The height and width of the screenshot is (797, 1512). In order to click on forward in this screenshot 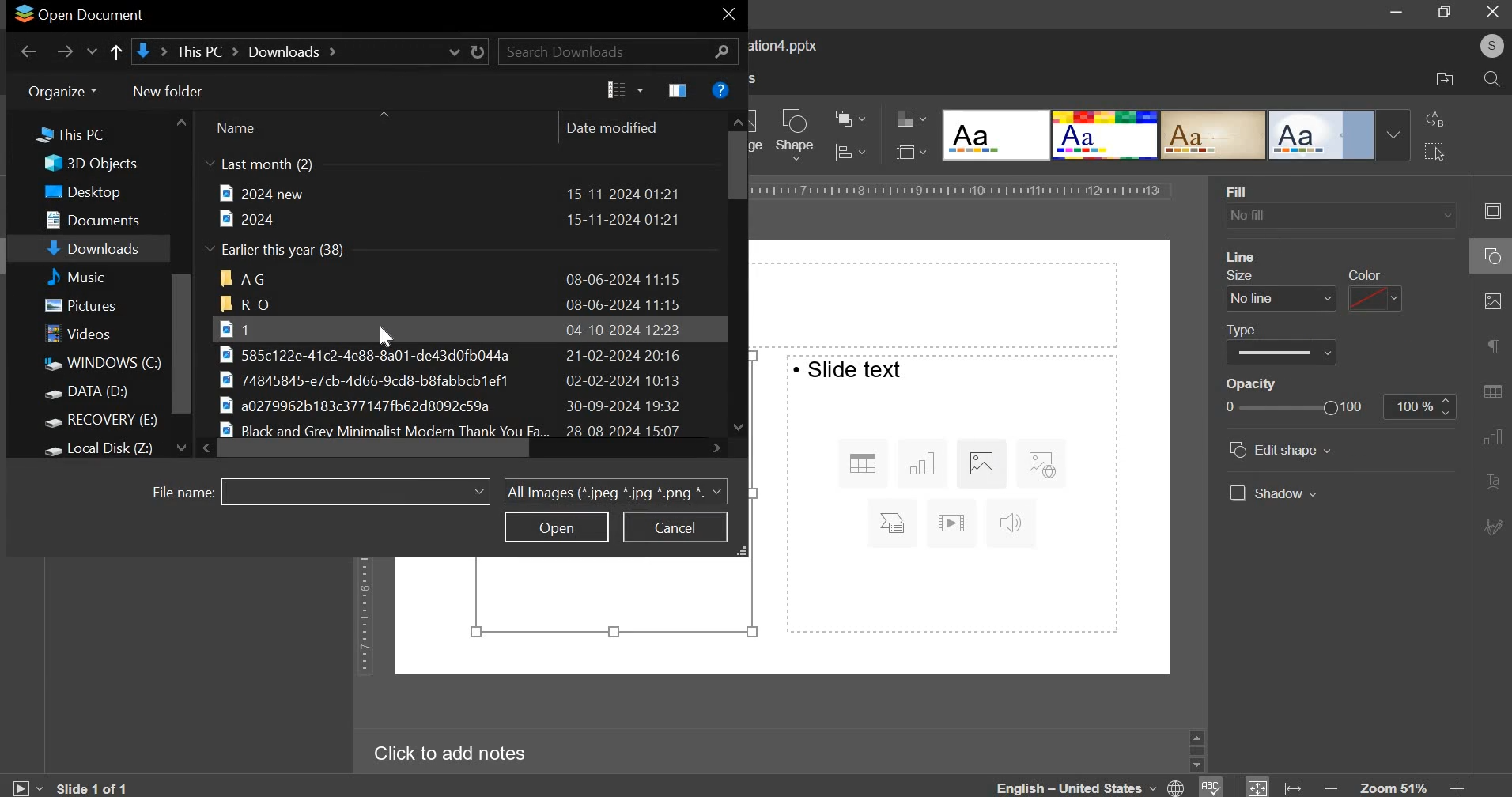, I will do `click(65, 51)`.